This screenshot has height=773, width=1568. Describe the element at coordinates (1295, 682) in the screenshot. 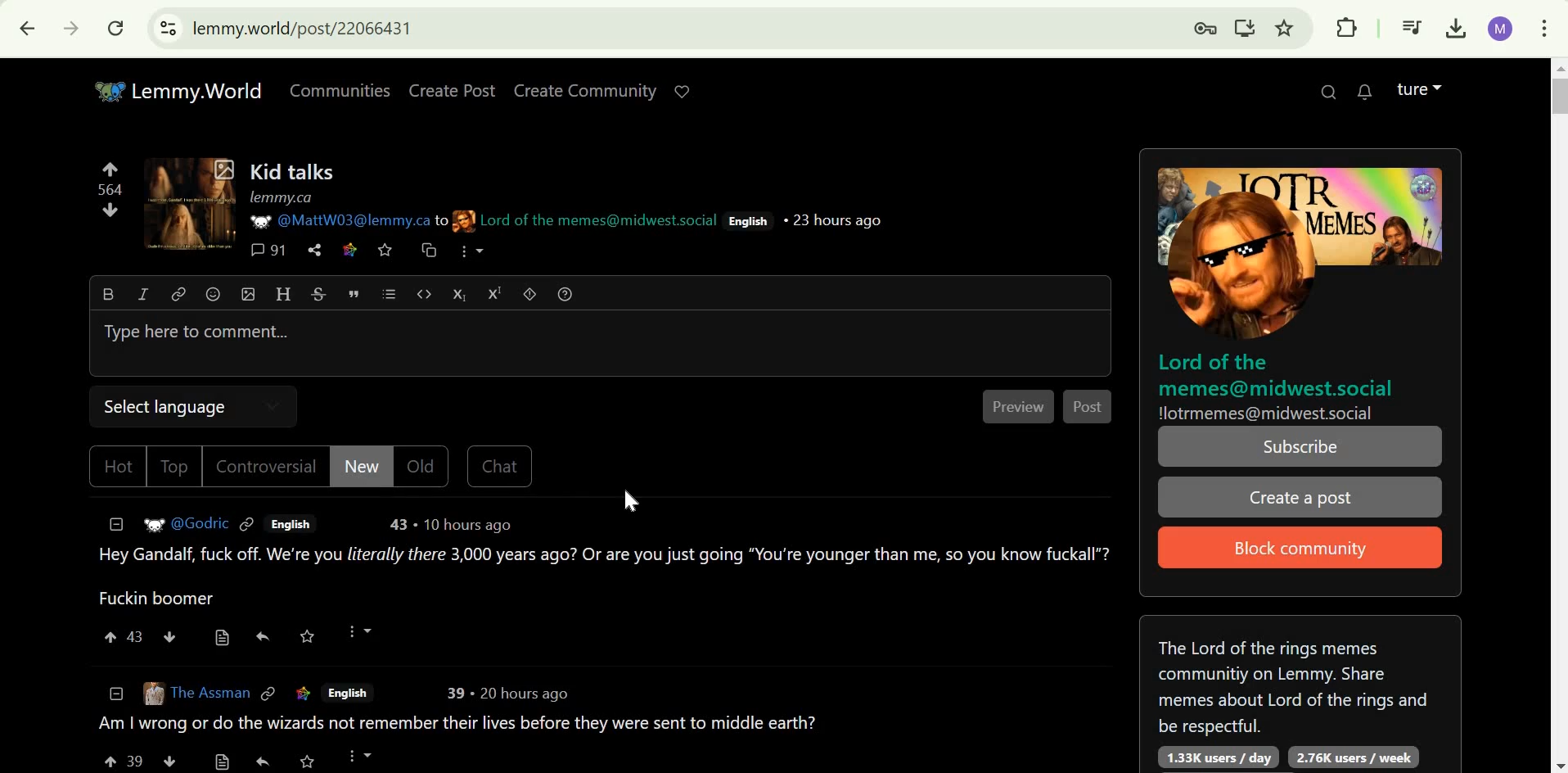

I see `About section` at that location.